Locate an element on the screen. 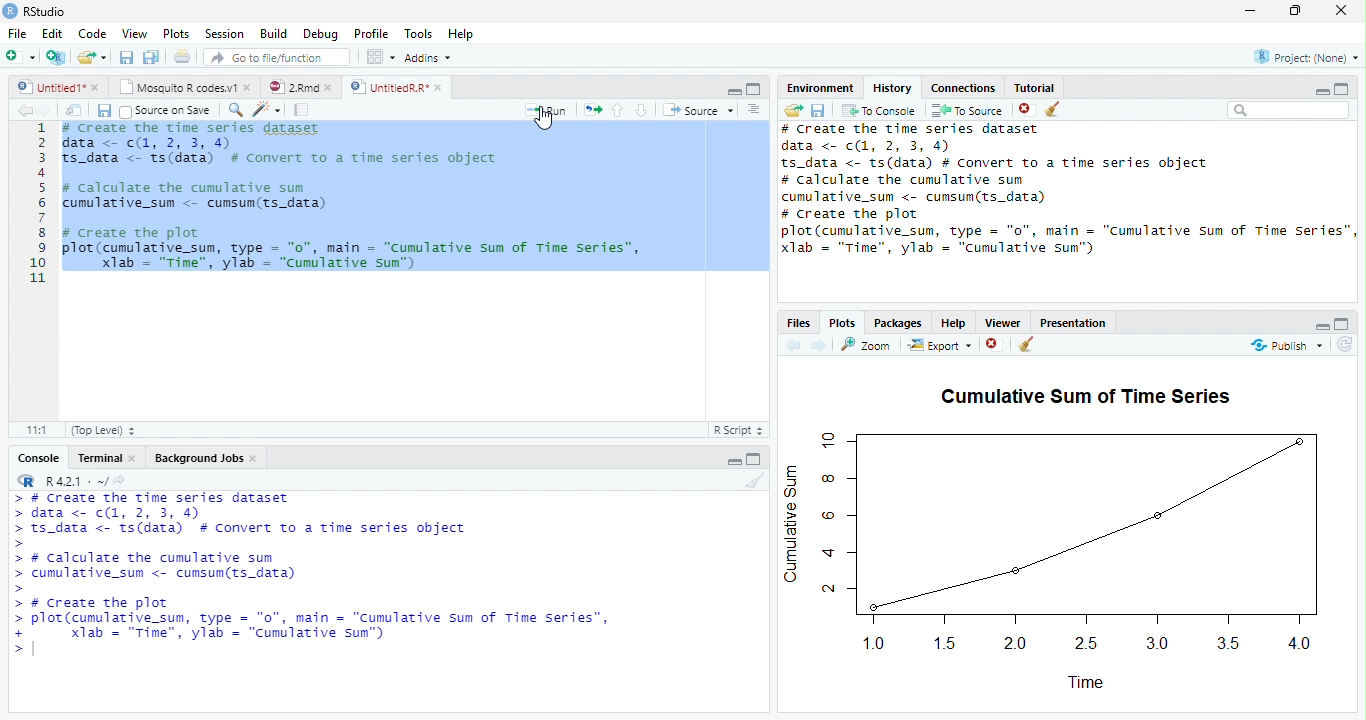  Save is located at coordinates (102, 109).